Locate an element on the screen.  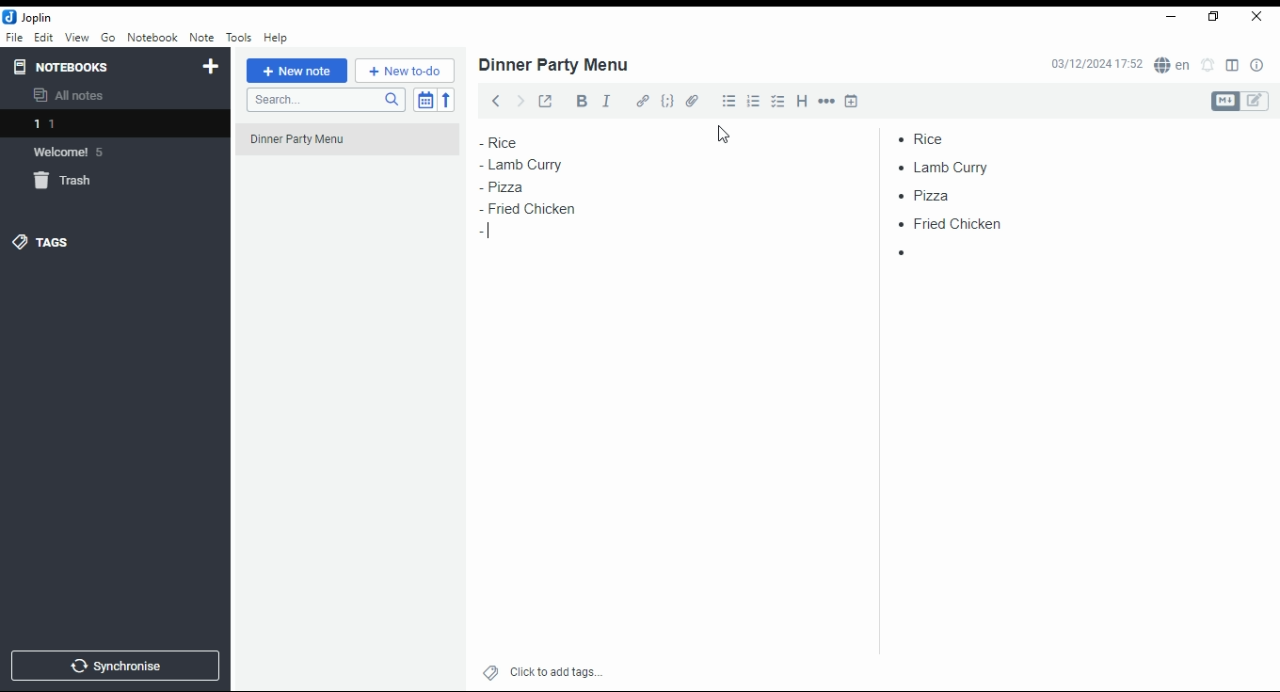
Maximize is located at coordinates (1214, 18).